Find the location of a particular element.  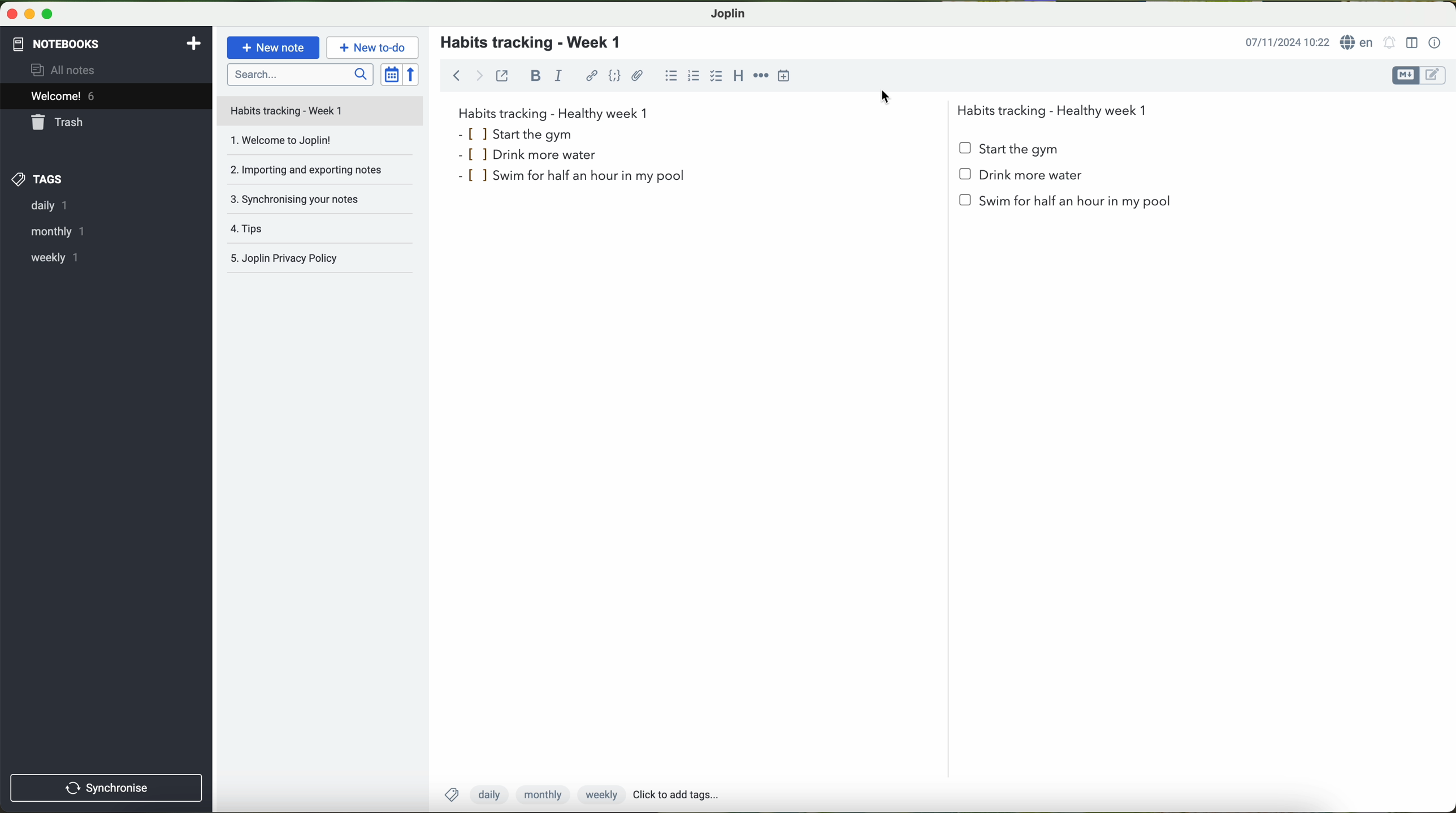

file title is located at coordinates (320, 111).